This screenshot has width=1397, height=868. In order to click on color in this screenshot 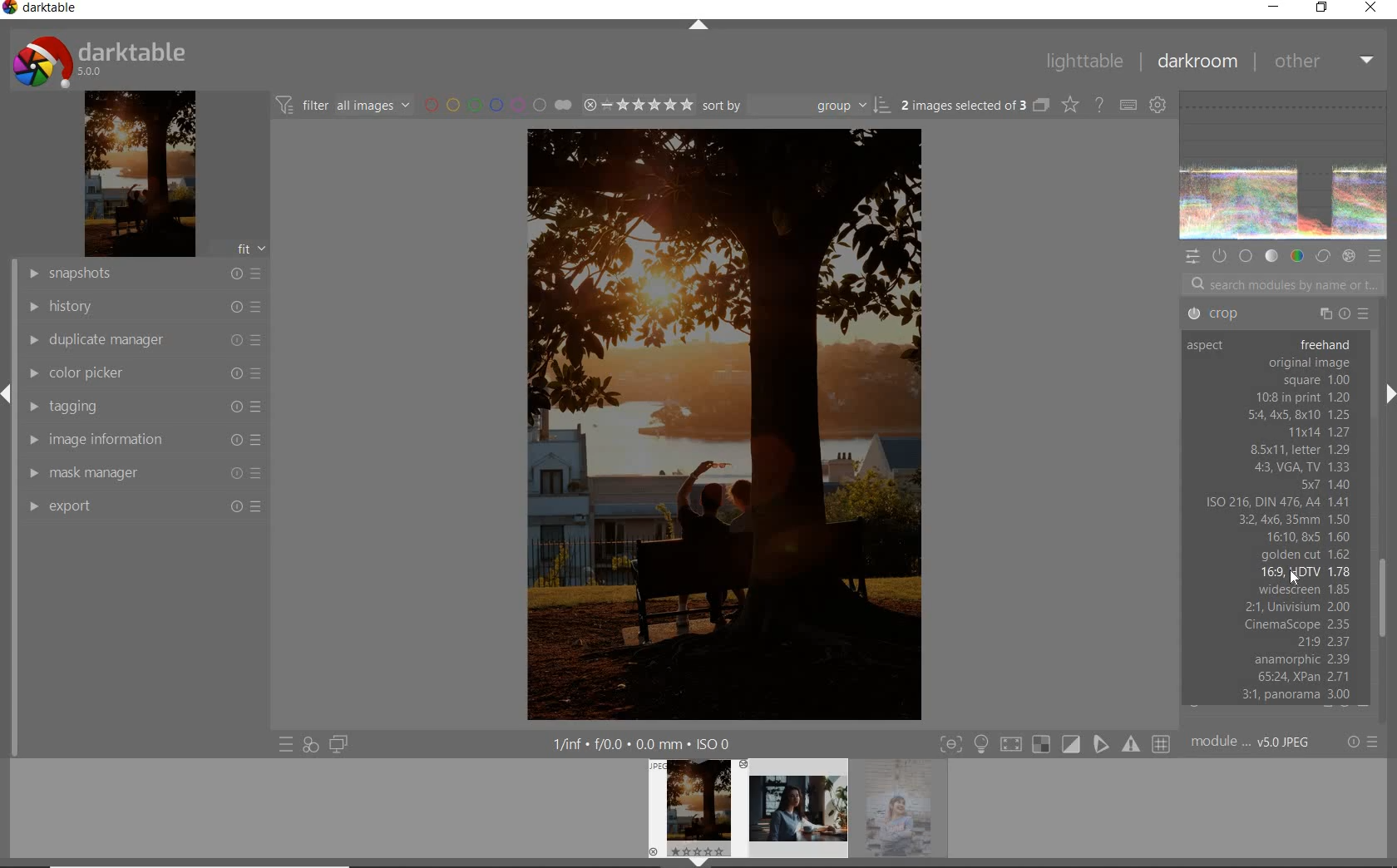, I will do `click(1296, 257)`.